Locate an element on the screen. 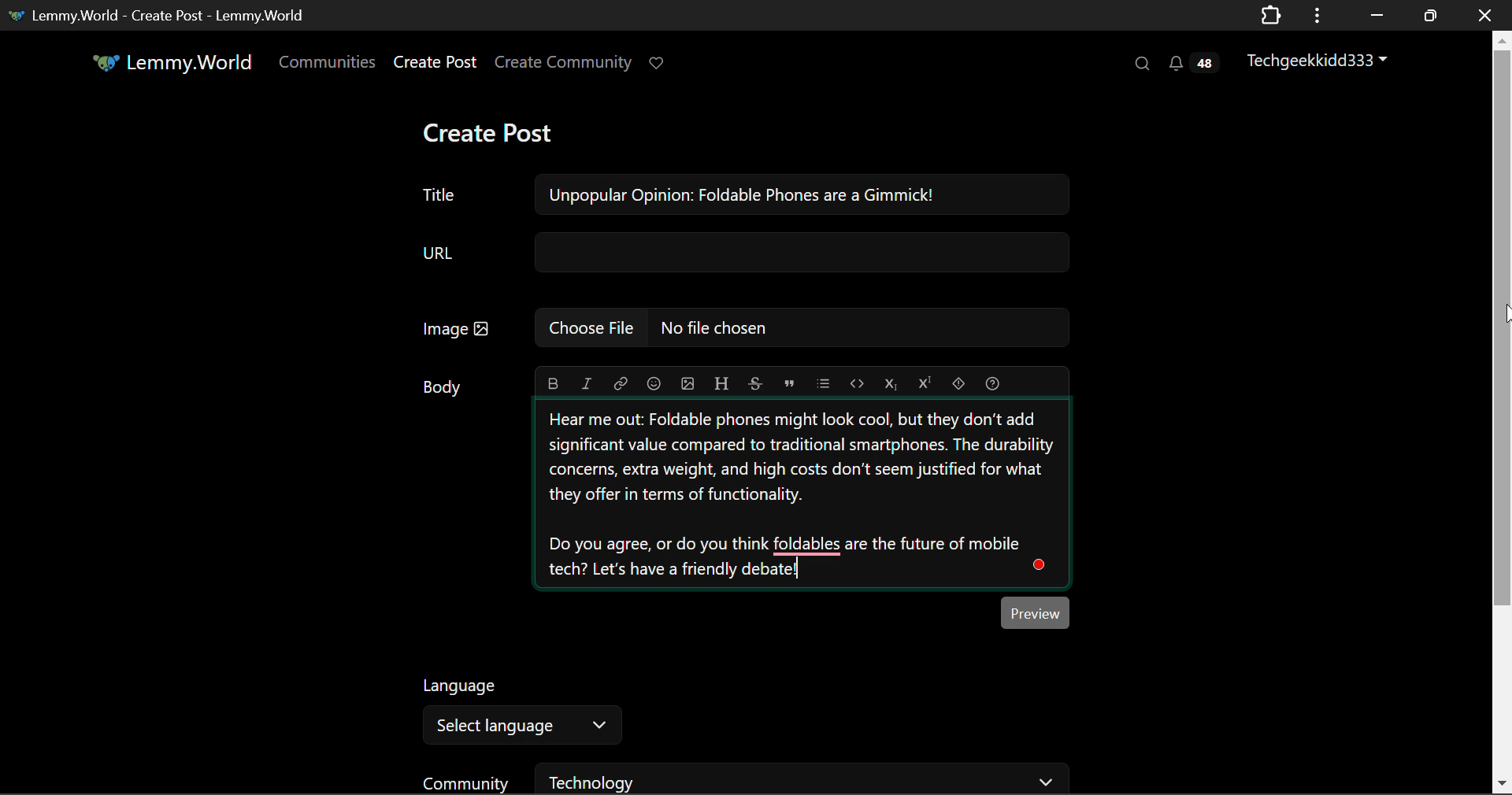 This screenshot has width=1512, height=795. superscript is located at coordinates (922, 380).